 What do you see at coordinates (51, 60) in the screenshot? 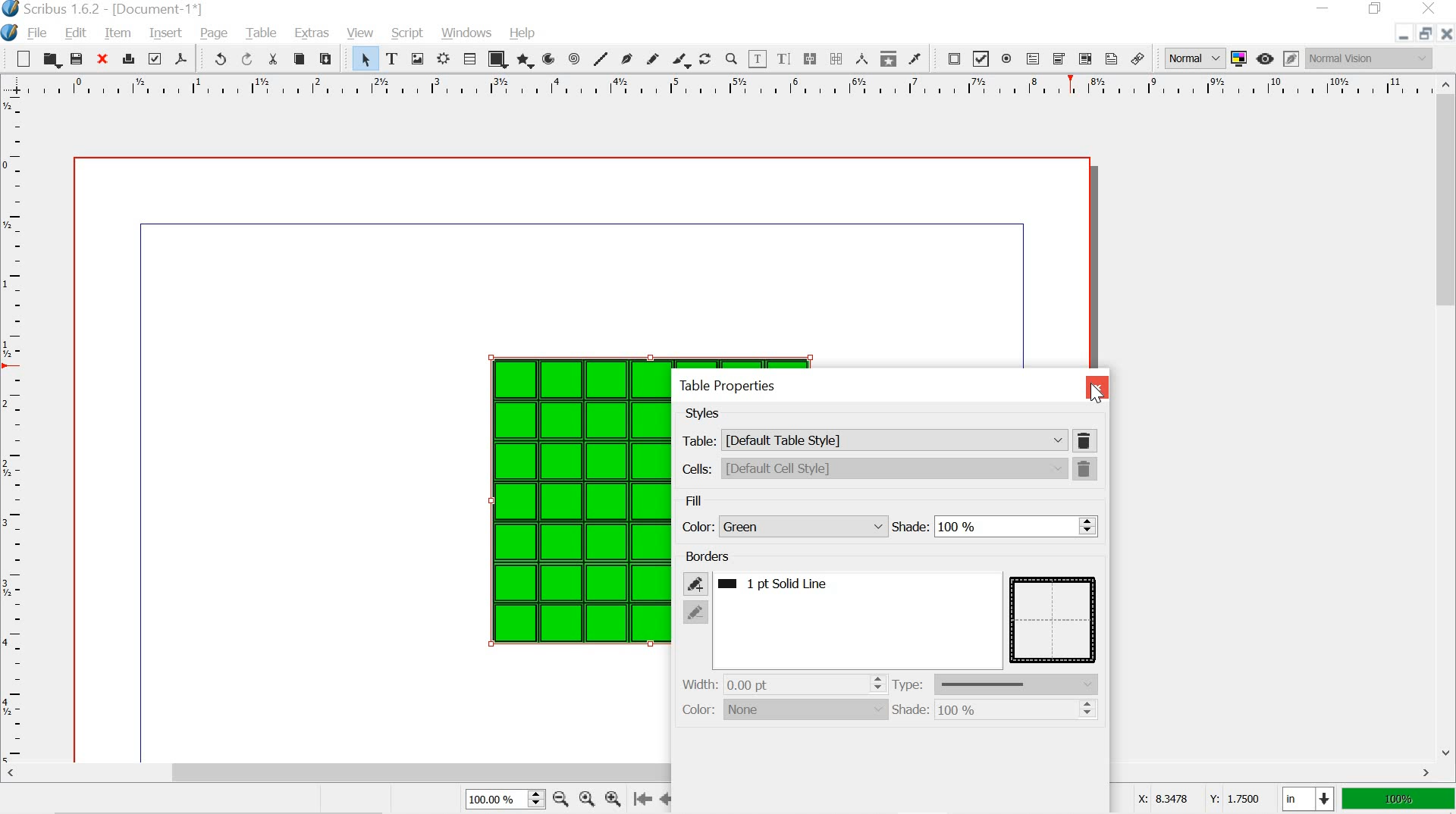
I see `open` at bounding box center [51, 60].